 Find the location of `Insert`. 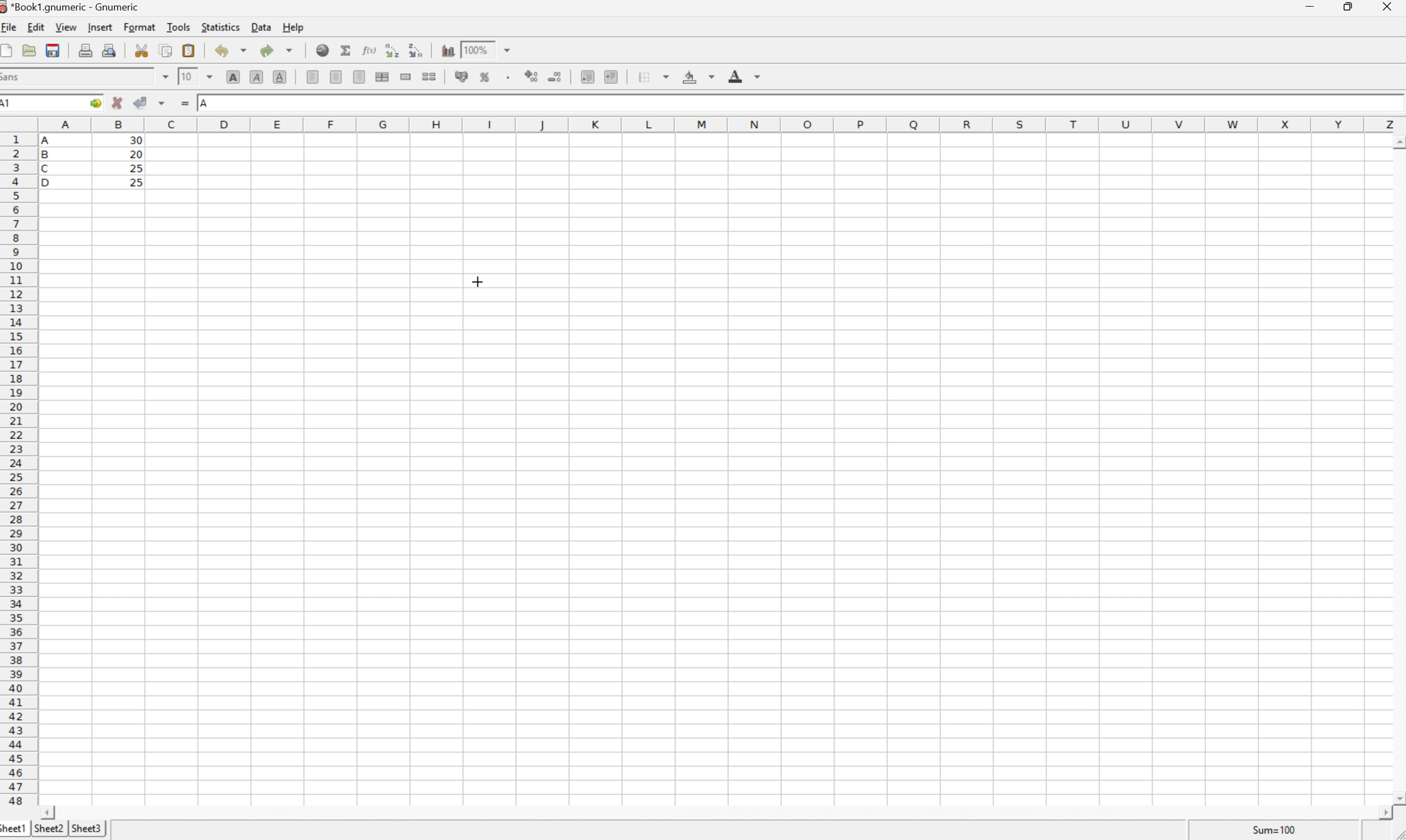

Insert is located at coordinates (102, 28).